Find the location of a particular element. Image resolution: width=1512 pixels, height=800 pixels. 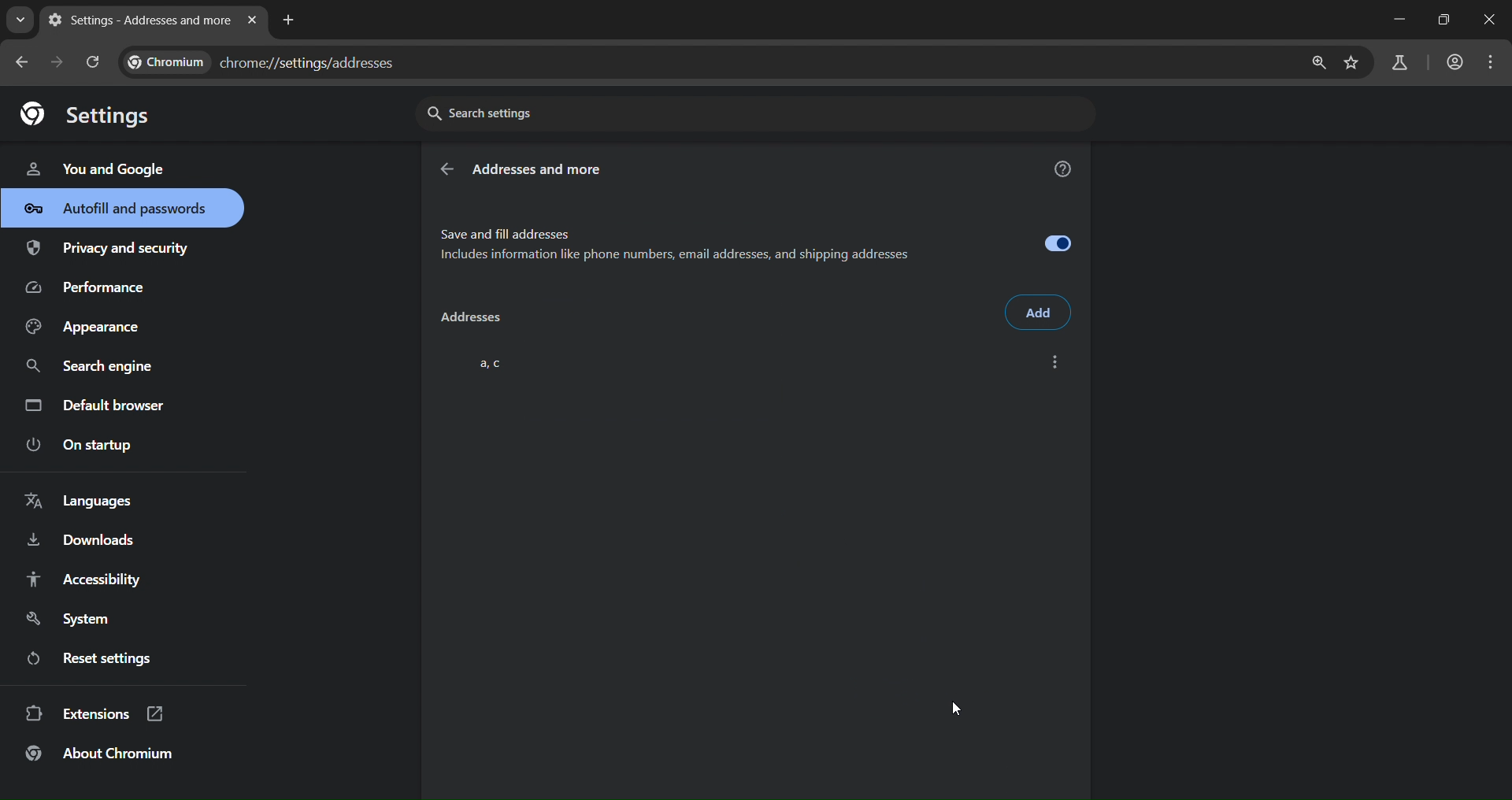

addresses and more is located at coordinates (540, 170).